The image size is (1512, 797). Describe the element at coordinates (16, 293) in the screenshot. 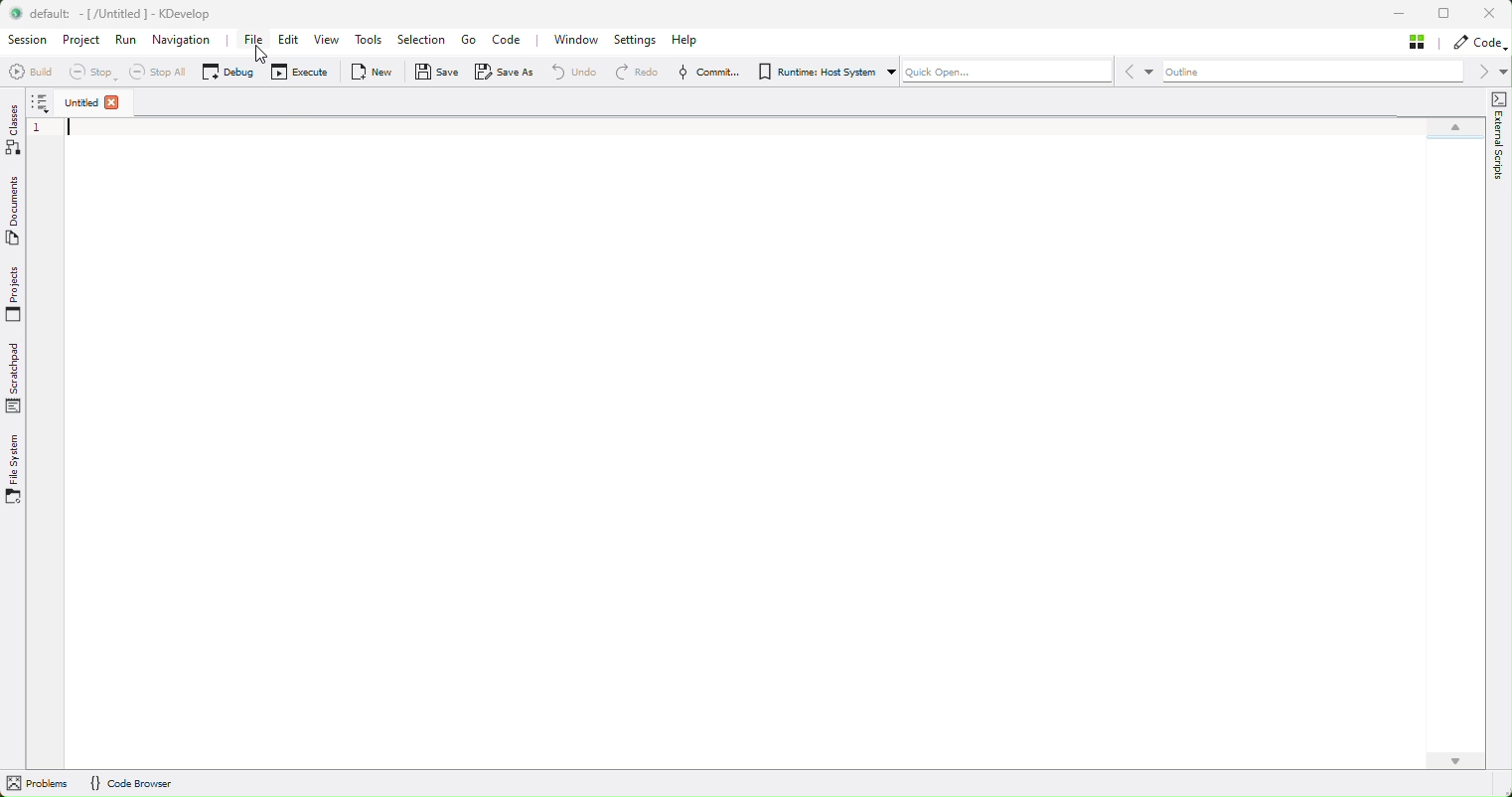

I see `Projects` at that location.